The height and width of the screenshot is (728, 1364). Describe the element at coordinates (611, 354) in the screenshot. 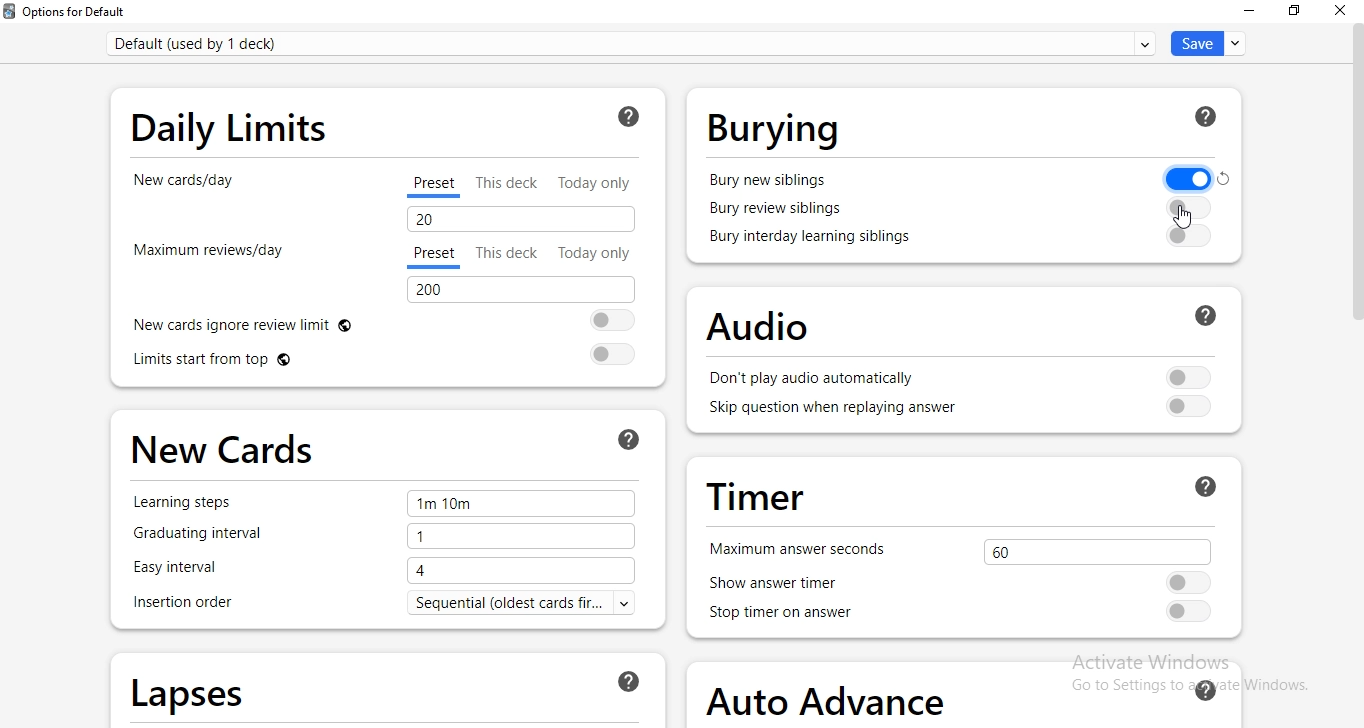

I see `toggle` at that location.